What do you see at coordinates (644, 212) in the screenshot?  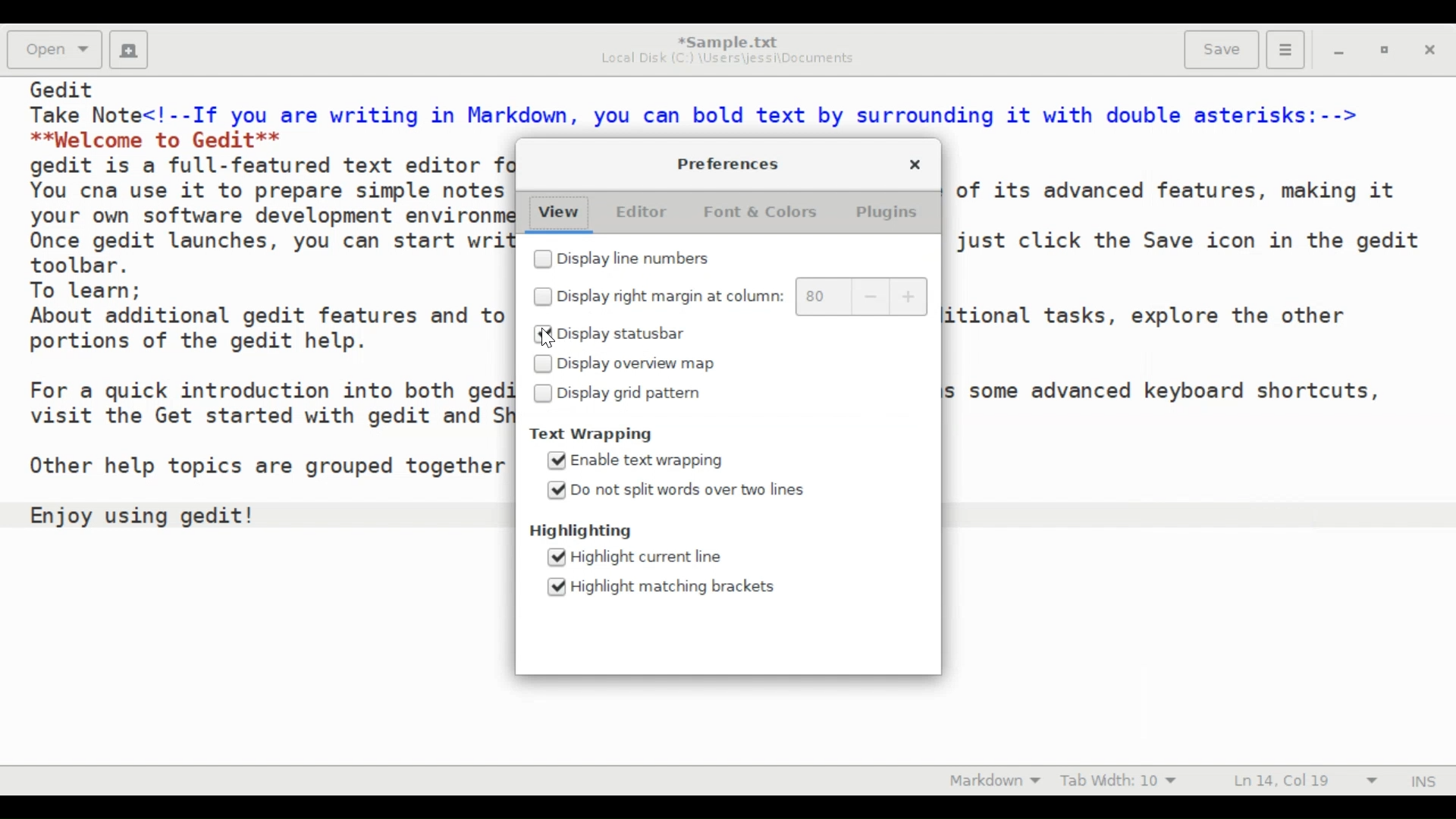 I see `Editor` at bounding box center [644, 212].